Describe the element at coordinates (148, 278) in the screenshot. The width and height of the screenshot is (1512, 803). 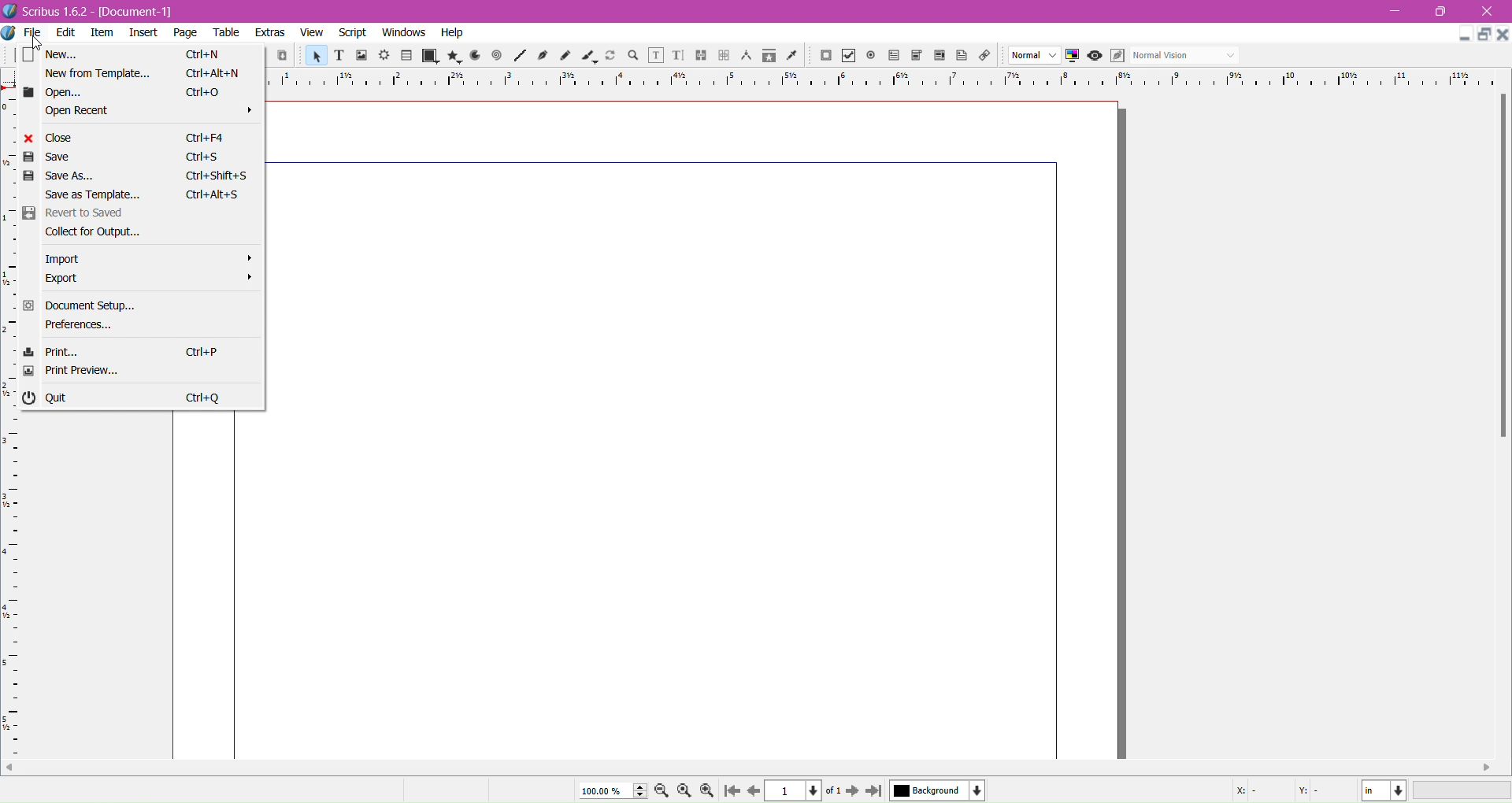
I see `Export` at that location.